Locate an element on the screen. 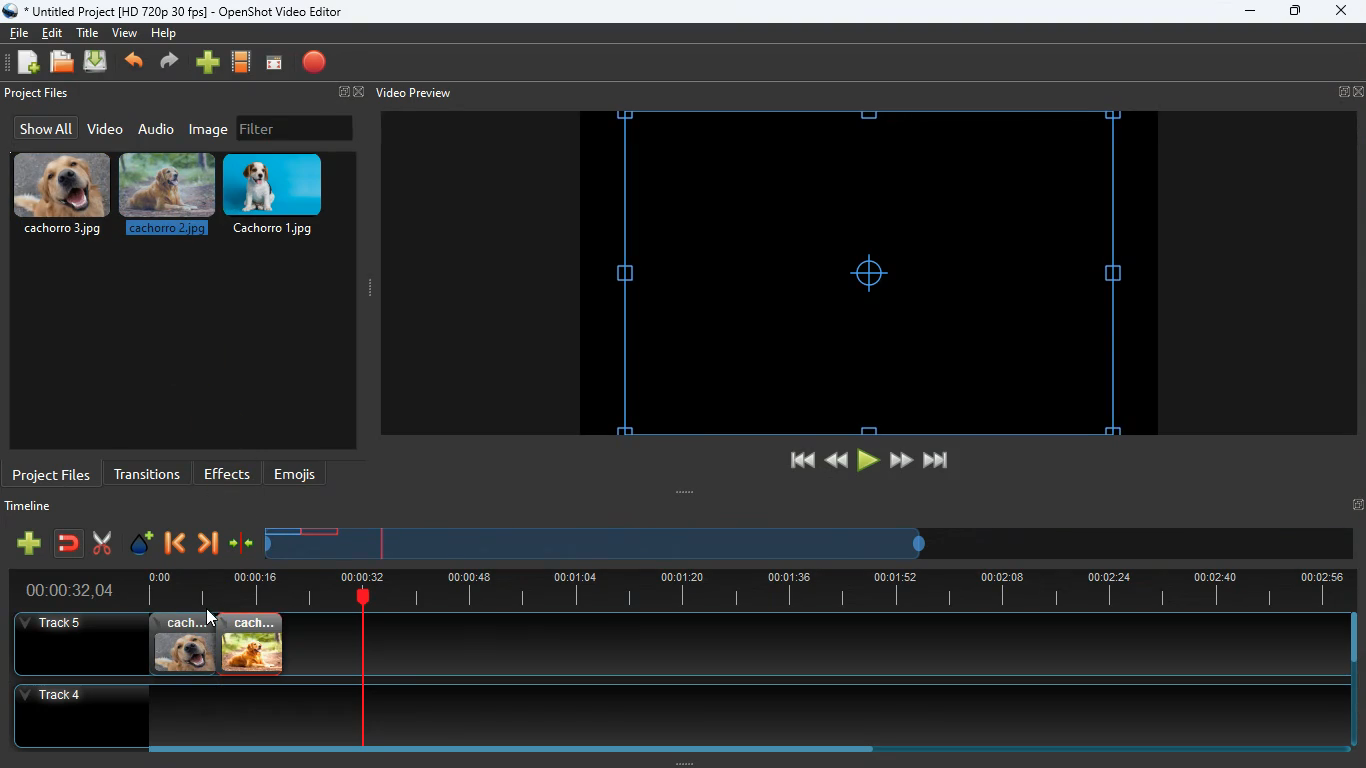 The height and width of the screenshot is (768, 1366). emojis is located at coordinates (300, 474).